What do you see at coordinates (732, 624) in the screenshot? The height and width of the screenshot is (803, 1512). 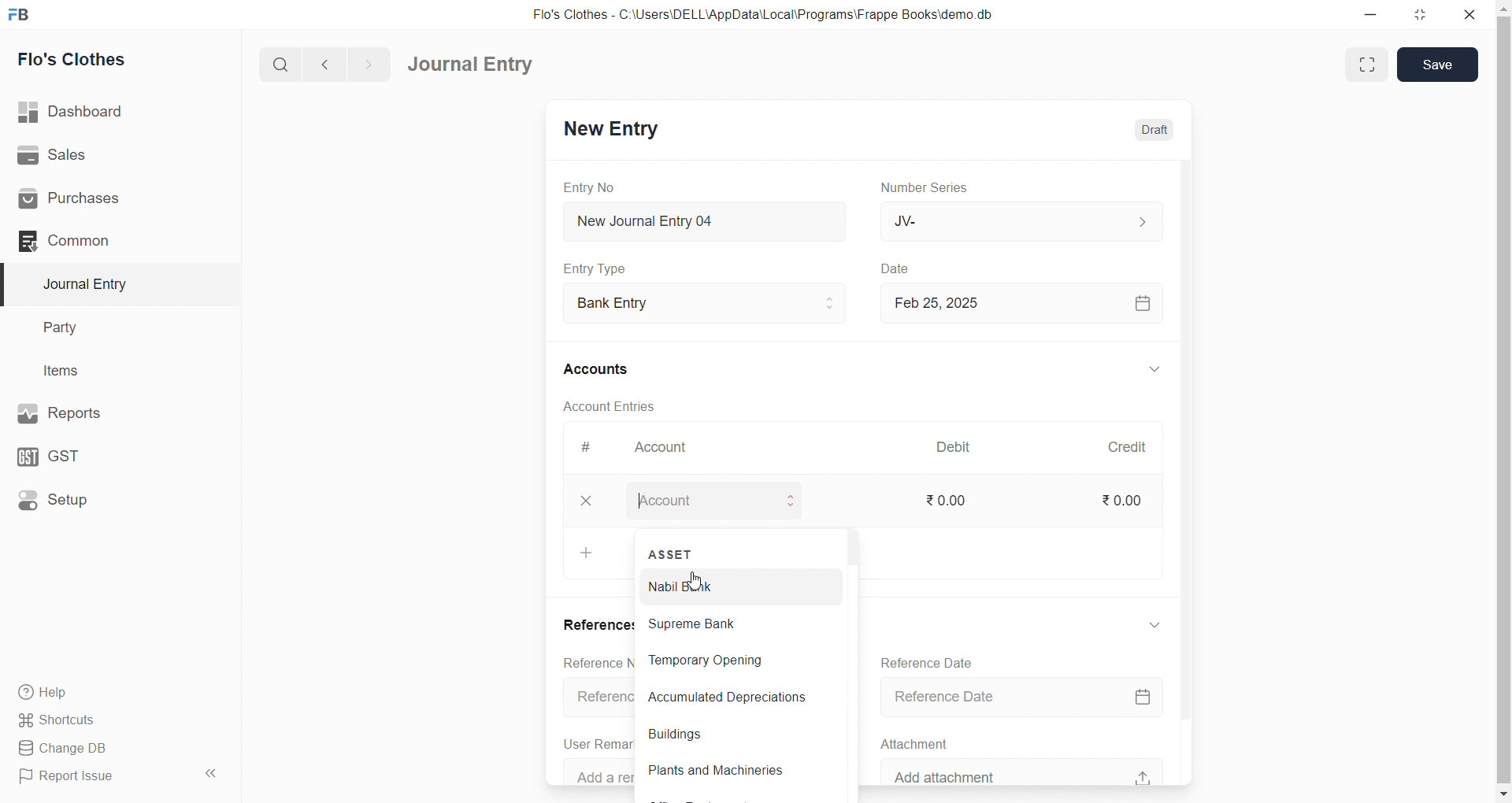 I see `Supreme Bank` at bounding box center [732, 624].